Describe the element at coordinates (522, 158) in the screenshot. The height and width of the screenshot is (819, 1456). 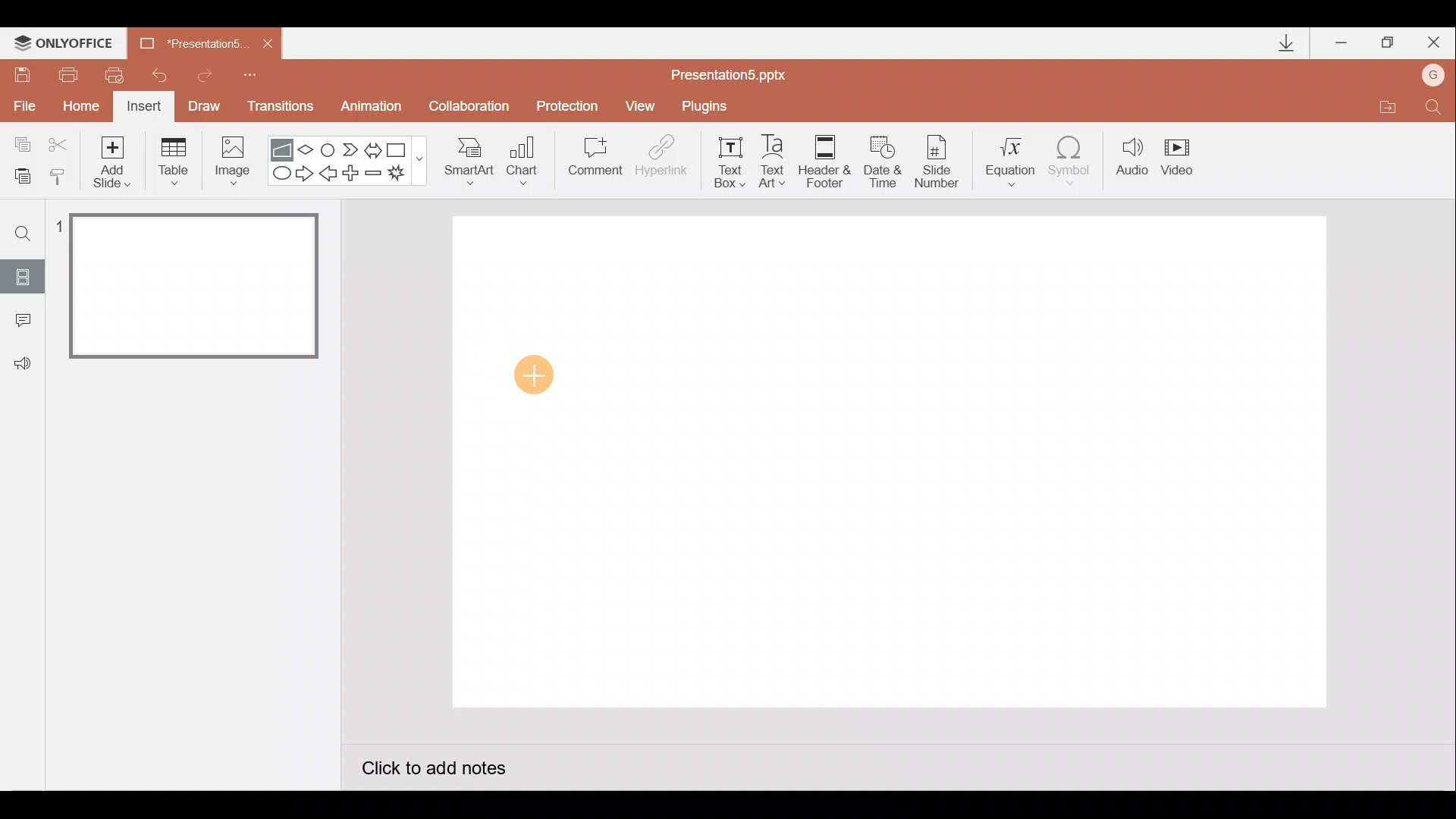
I see `Chart` at that location.